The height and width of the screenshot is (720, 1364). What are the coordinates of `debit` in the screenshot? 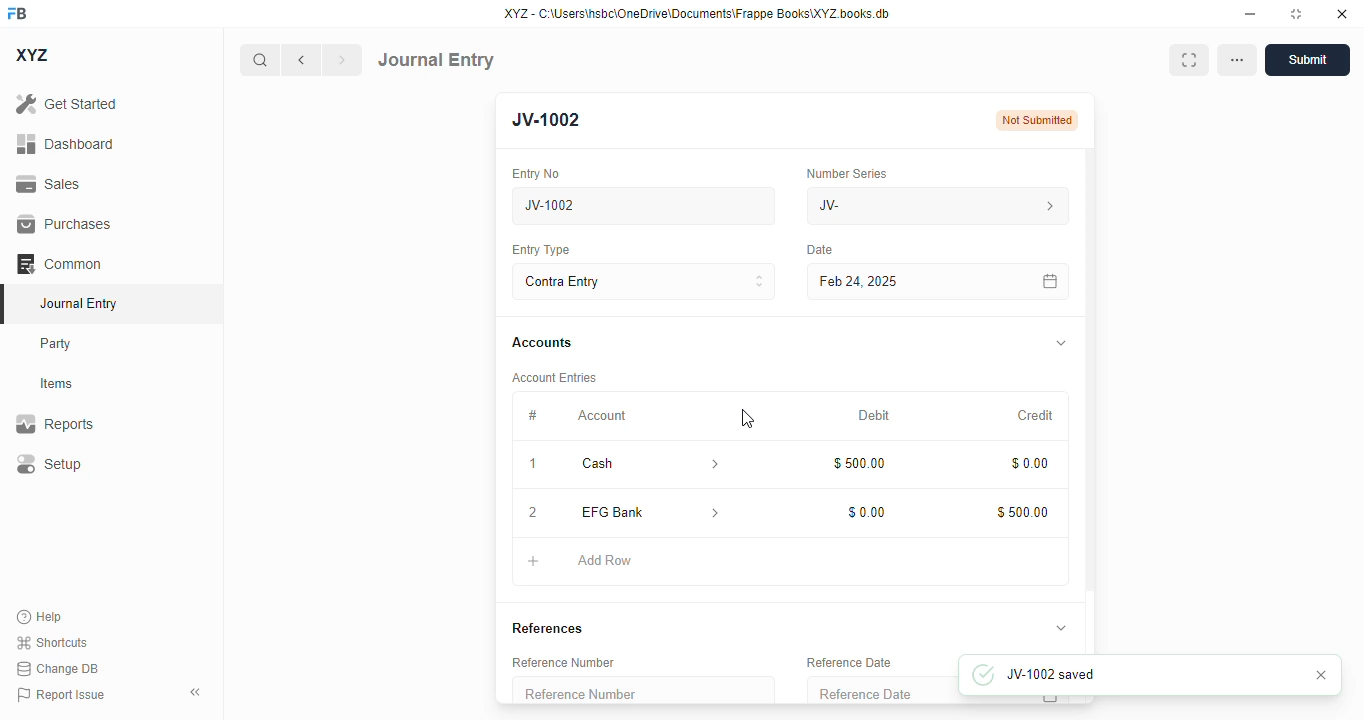 It's located at (875, 415).